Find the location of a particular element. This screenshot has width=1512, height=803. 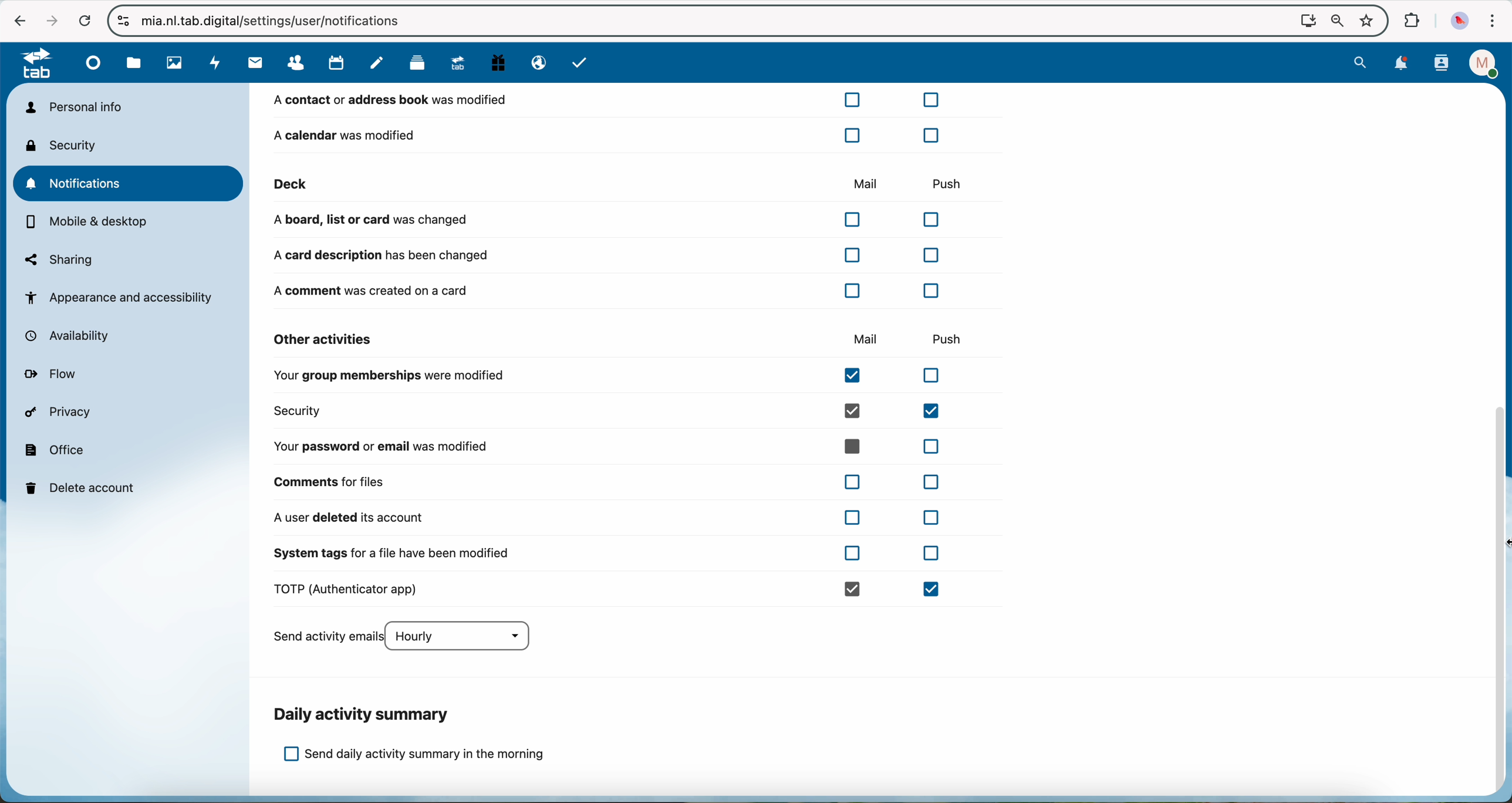

profile picture is located at coordinates (1460, 20).